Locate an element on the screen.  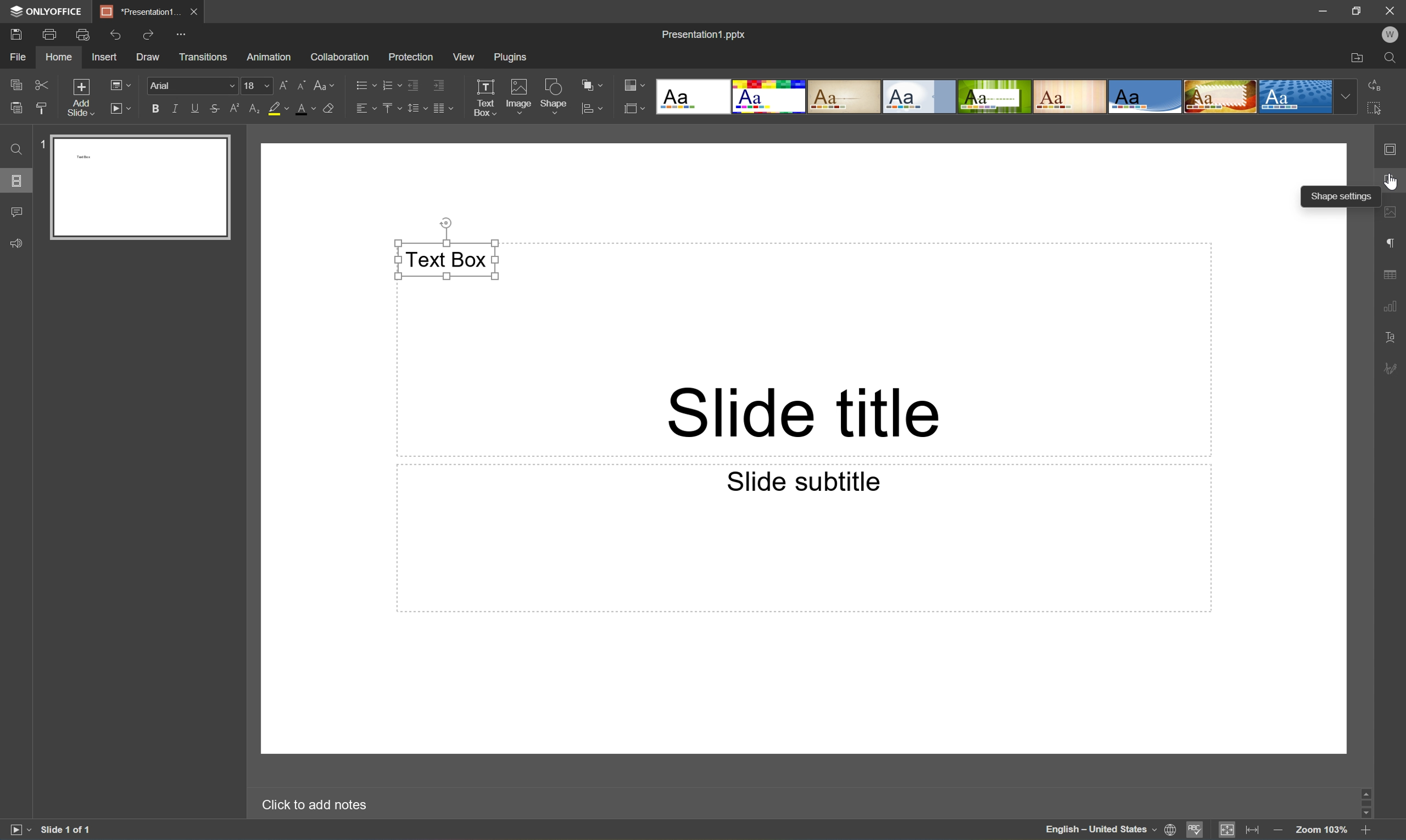
Click to add notes is located at coordinates (313, 807).